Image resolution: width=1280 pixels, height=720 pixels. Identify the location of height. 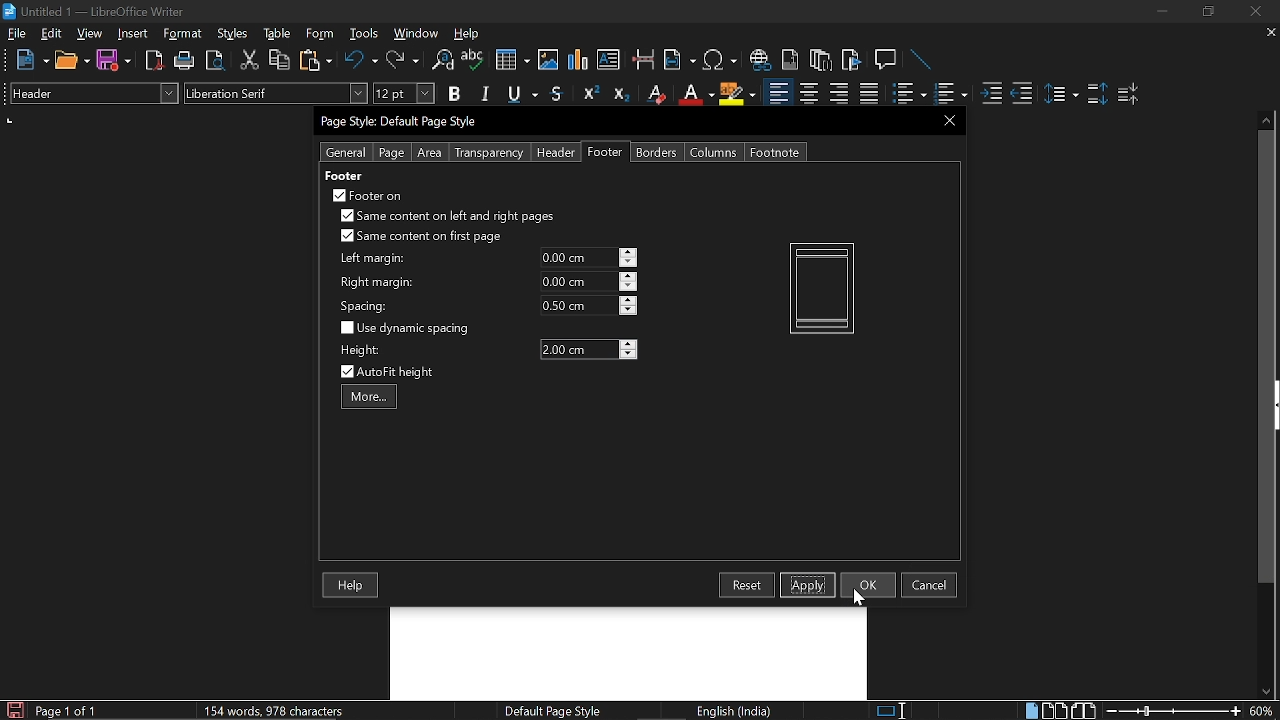
(362, 351).